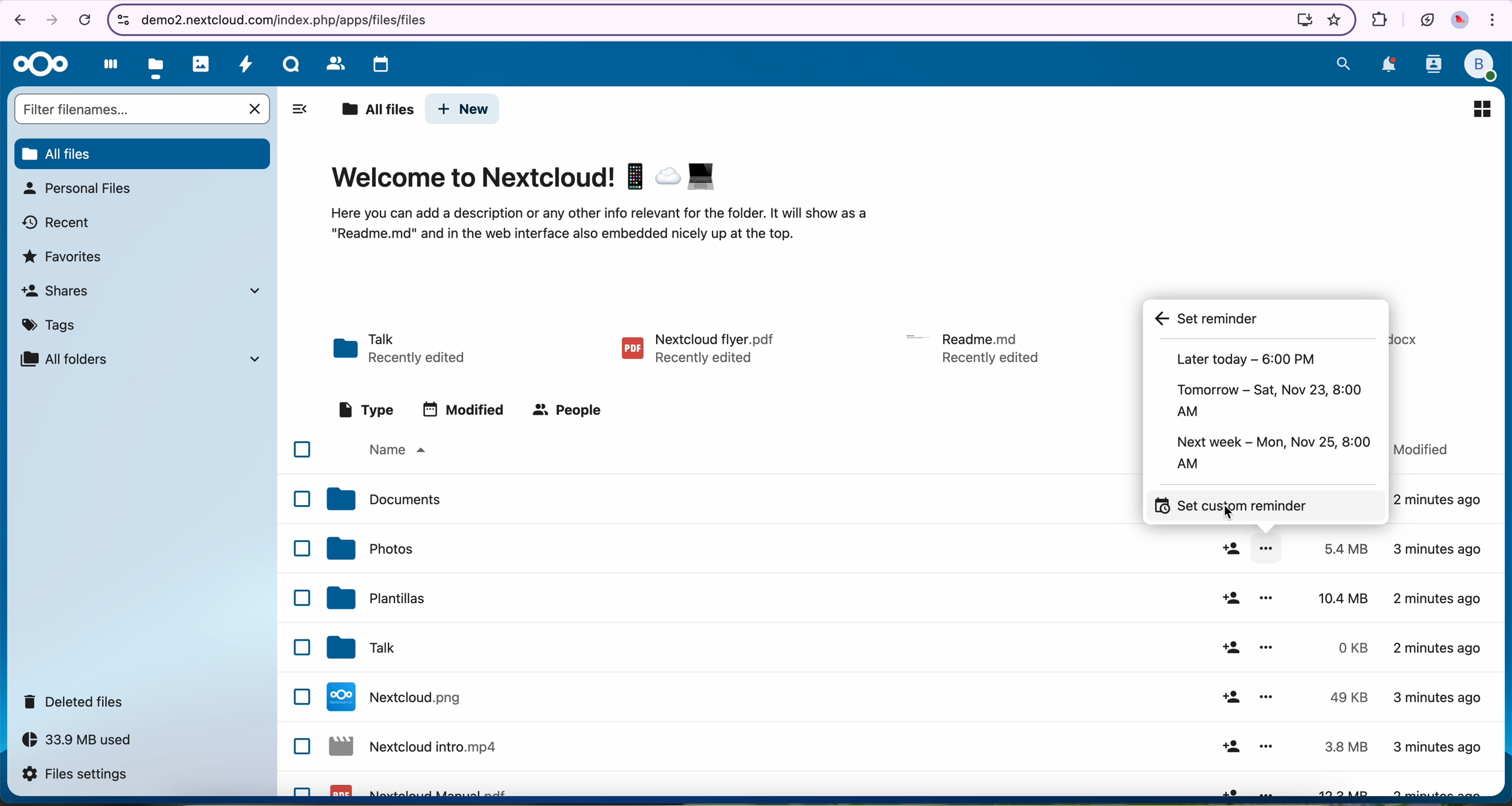 This screenshot has height=806, width=1512. What do you see at coordinates (202, 63) in the screenshot?
I see `photos` at bounding box center [202, 63].